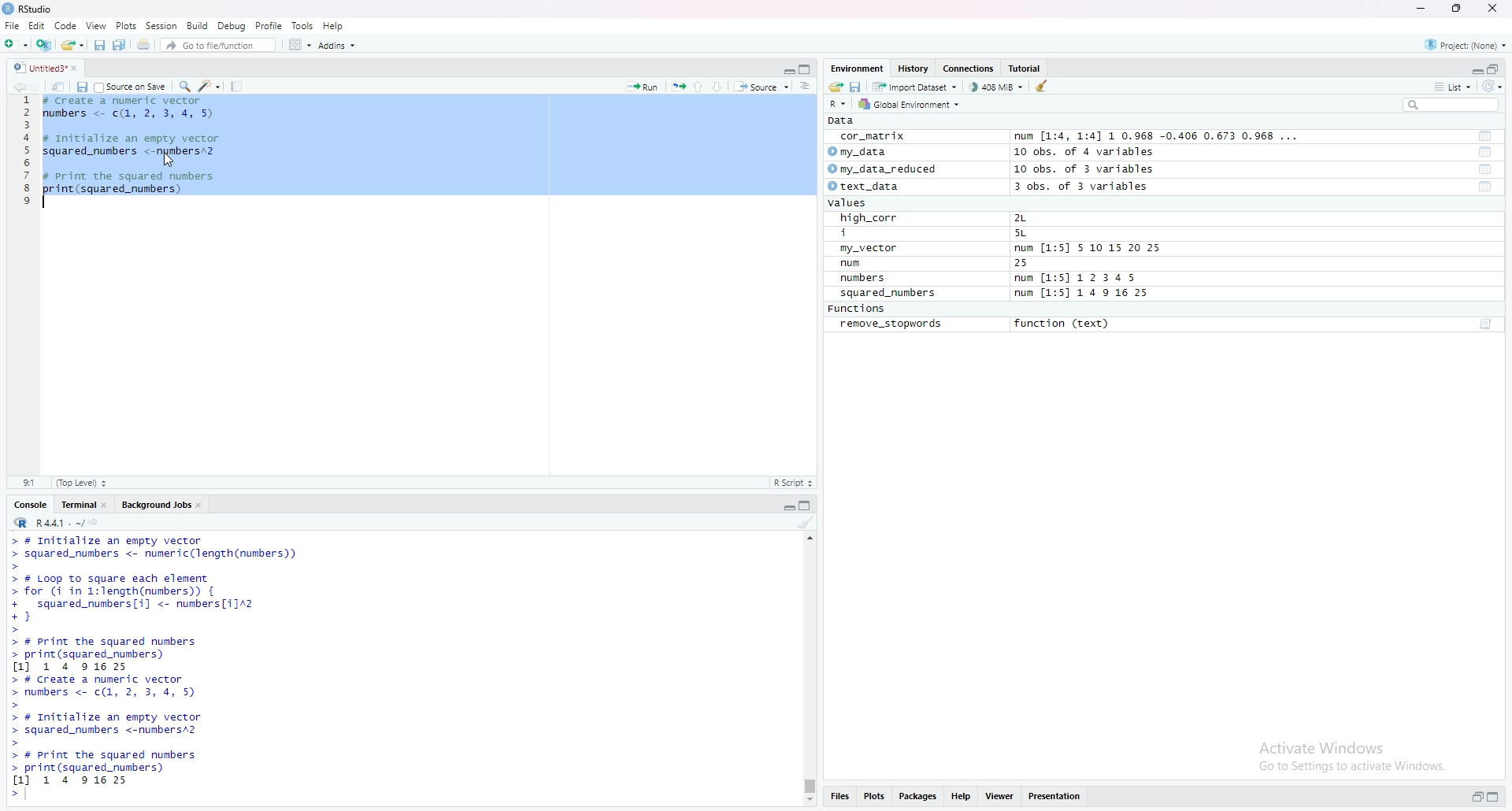 The height and width of the screenshot is (811, 1512). What do you see at coordinates (1084, 152) in the screenshot?
I see `10 obs. of 4 variables` at bounding box center [1084, 152].